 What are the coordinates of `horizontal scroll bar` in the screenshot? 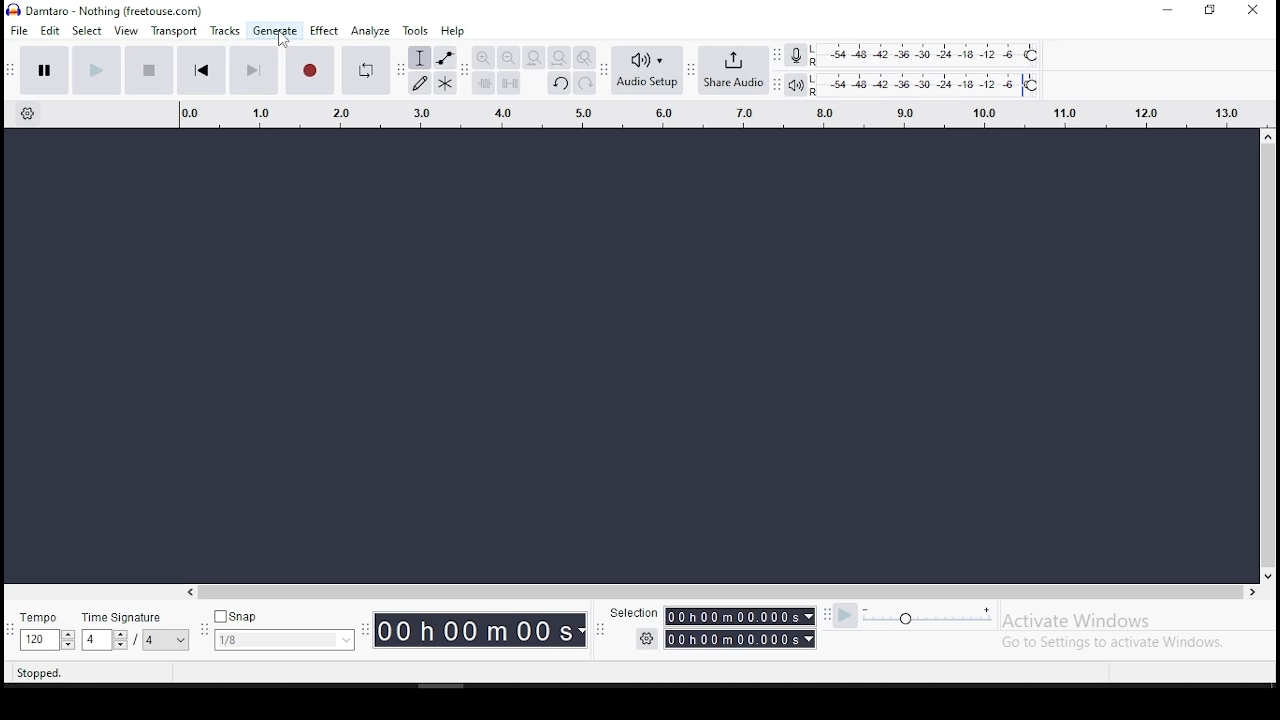 It's located at (484, 588).